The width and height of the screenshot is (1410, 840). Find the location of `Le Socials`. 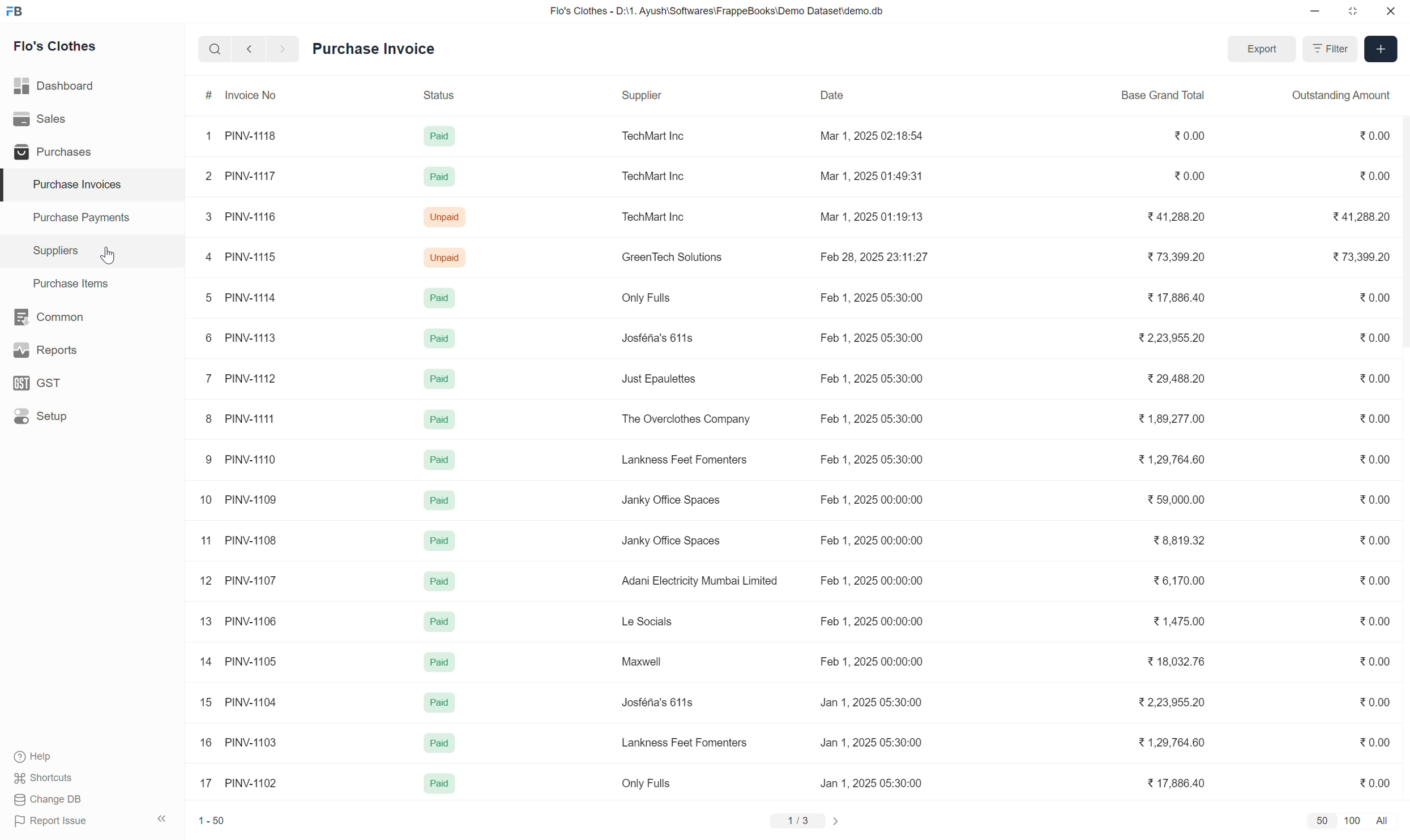

Le Socials is located at coordinates (644, 621).